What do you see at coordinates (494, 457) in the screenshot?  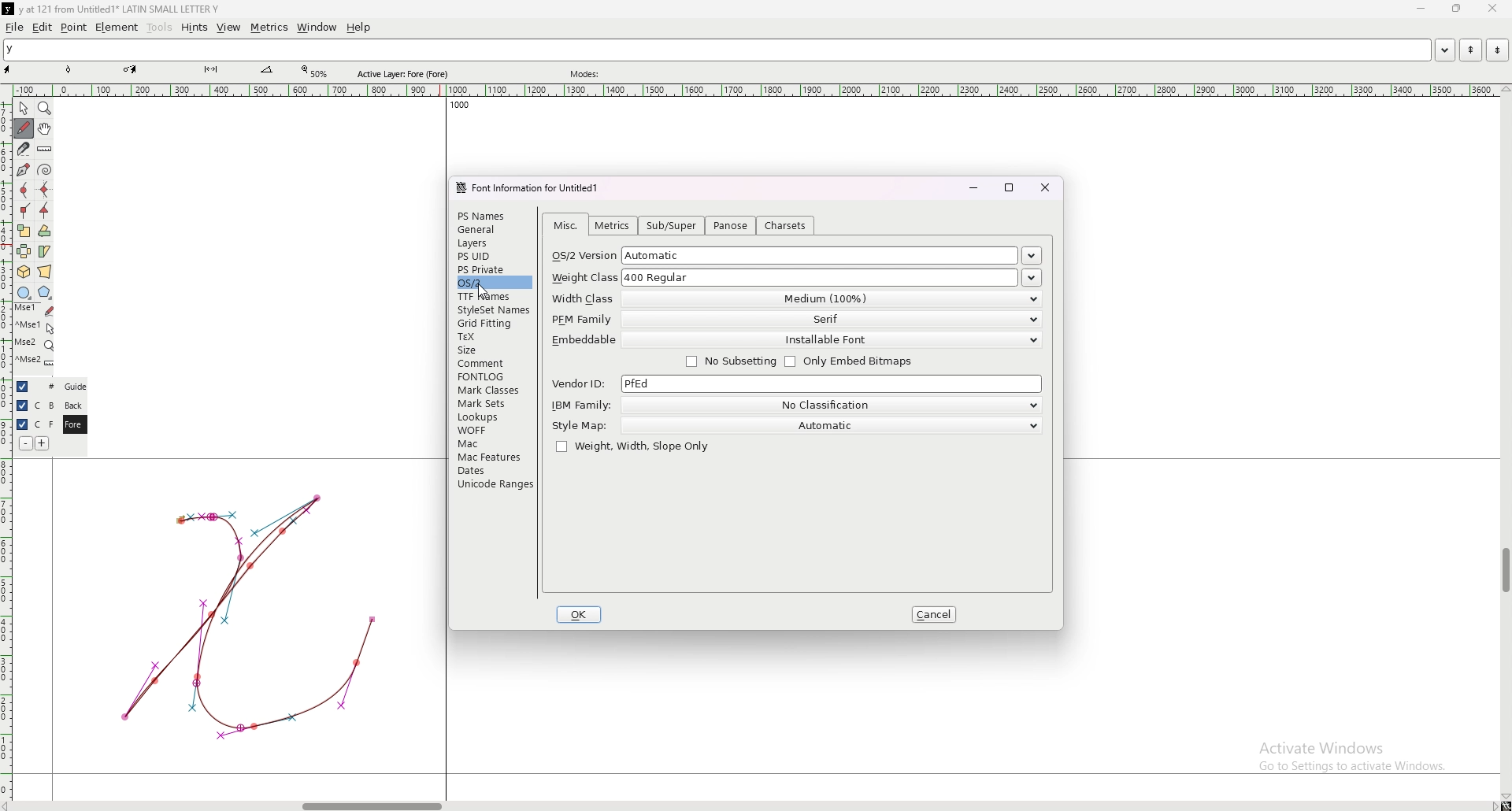 I see `mac features` at bounding box center [494, 457].